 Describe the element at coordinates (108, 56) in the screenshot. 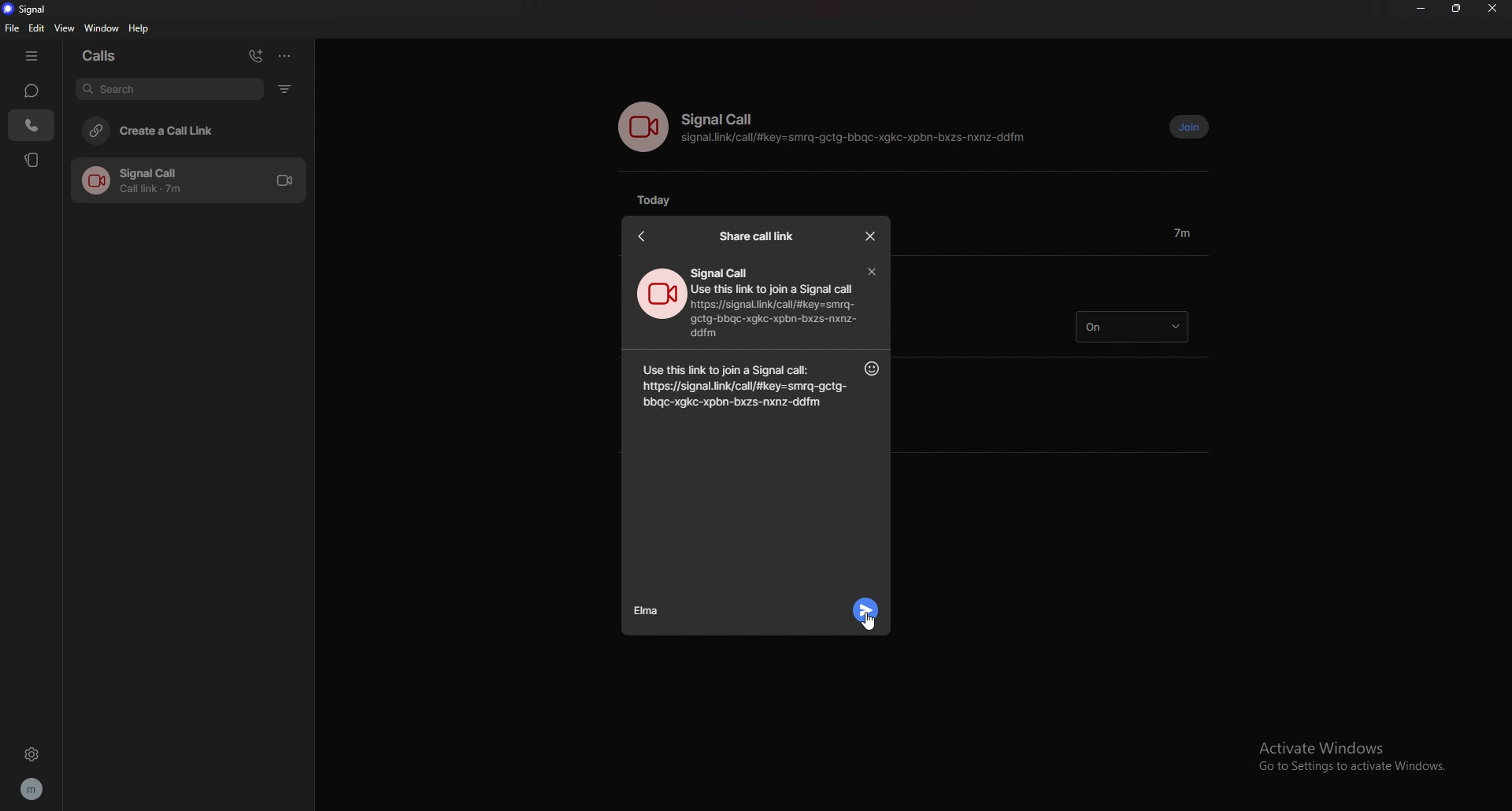

I see `calls` at that location.